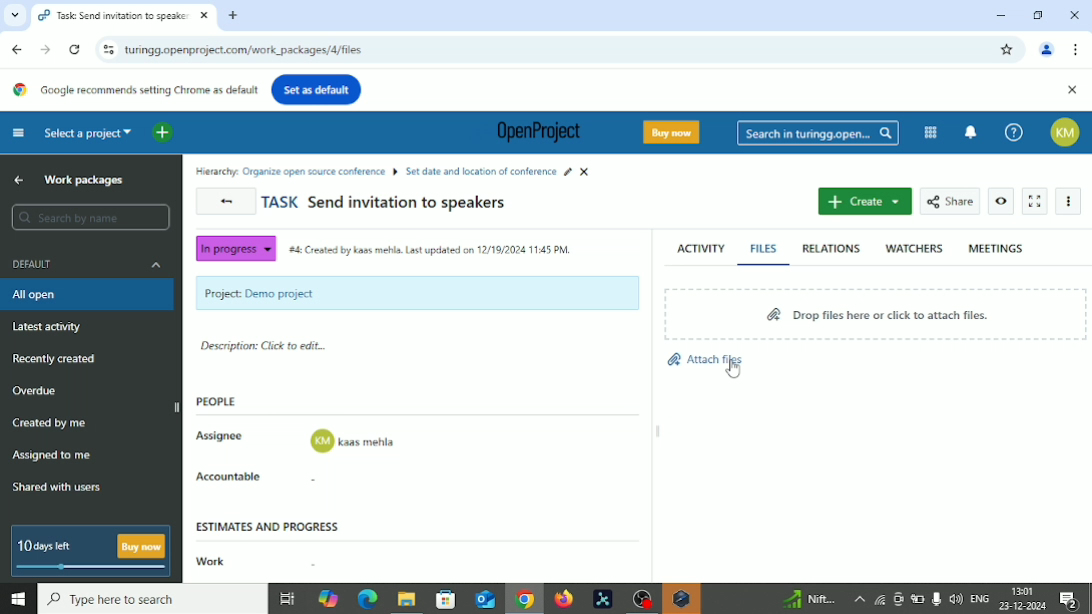  What do you see at coordinates (417, 293) in the screenshot?
I see `Project` at bounding box center [417, 293].